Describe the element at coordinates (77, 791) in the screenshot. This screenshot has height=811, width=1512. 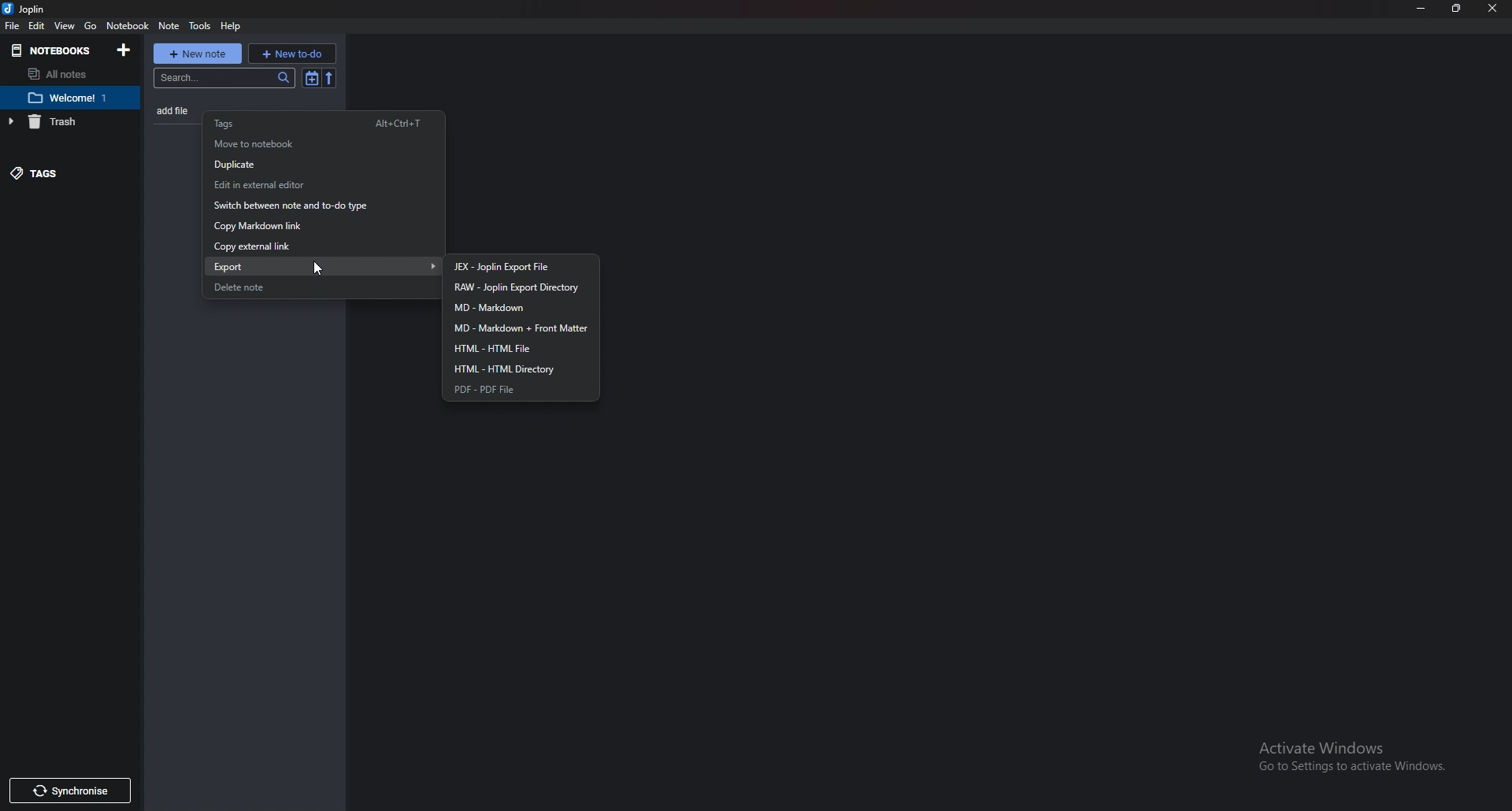
I see `OQ synchronise` at that location.